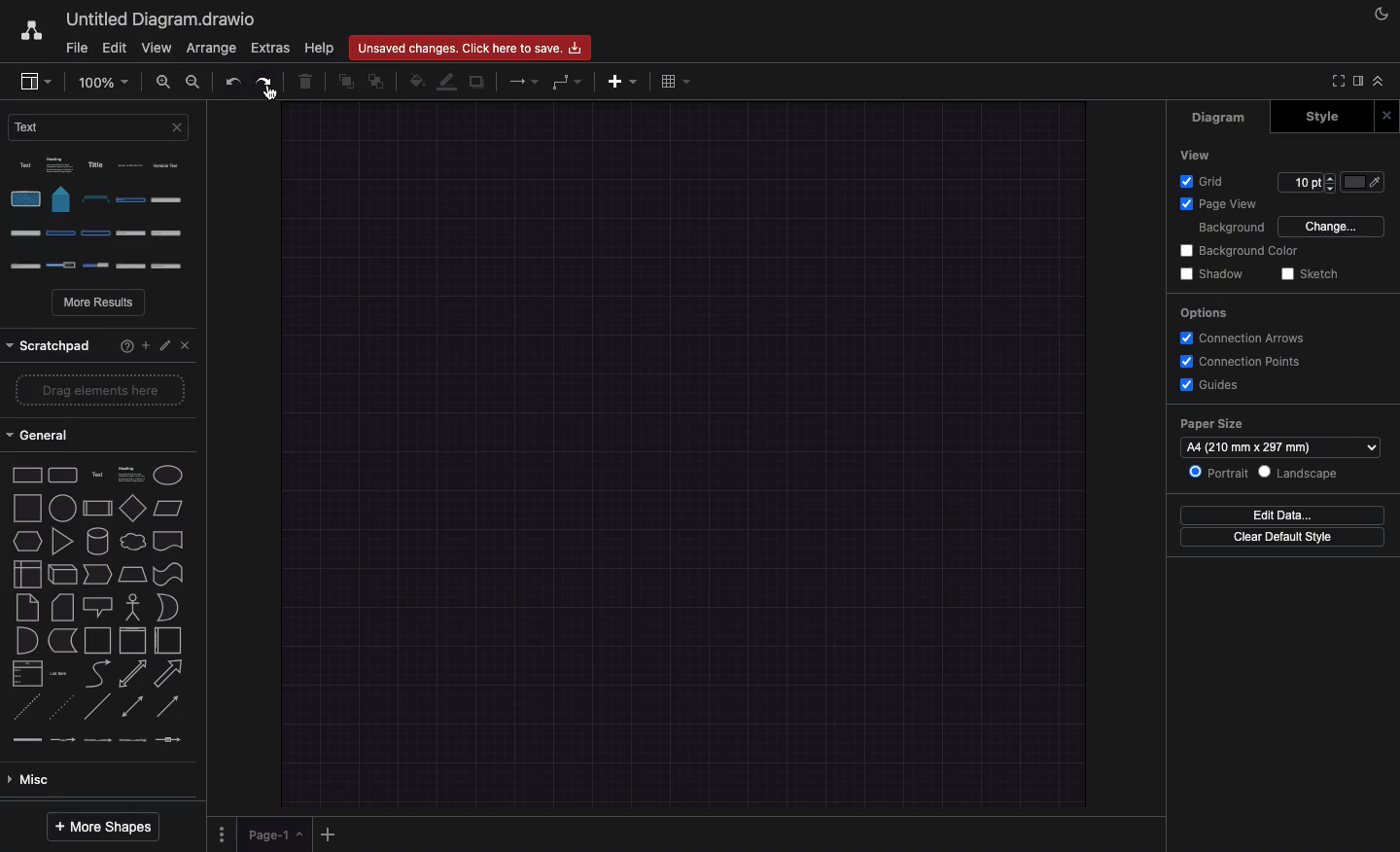 This screenshot has width=1400, height=852. I want to click on Zoom, so click(102, 81).